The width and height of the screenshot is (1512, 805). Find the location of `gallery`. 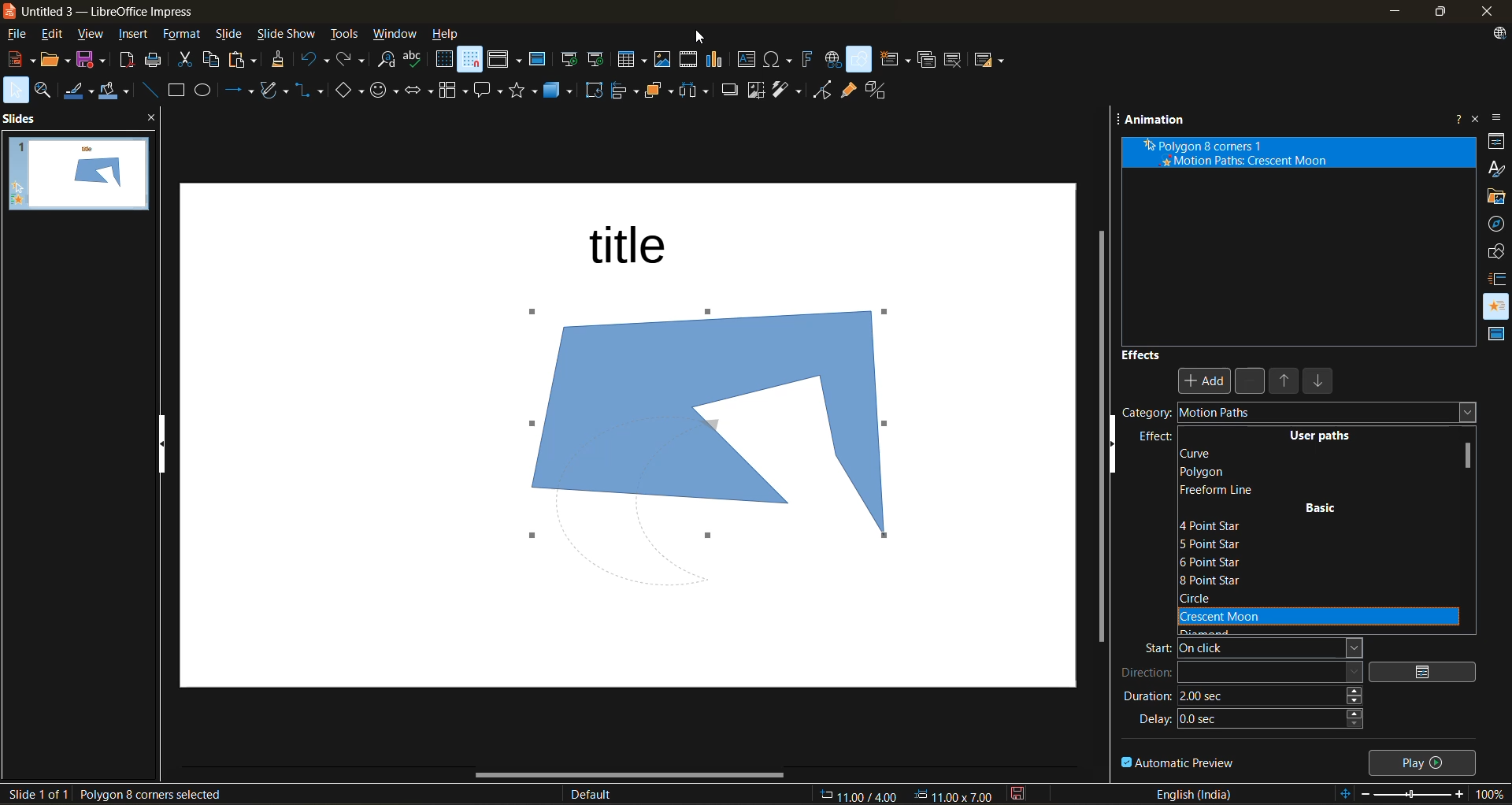

gallery is located at coordinates (1496, 198).